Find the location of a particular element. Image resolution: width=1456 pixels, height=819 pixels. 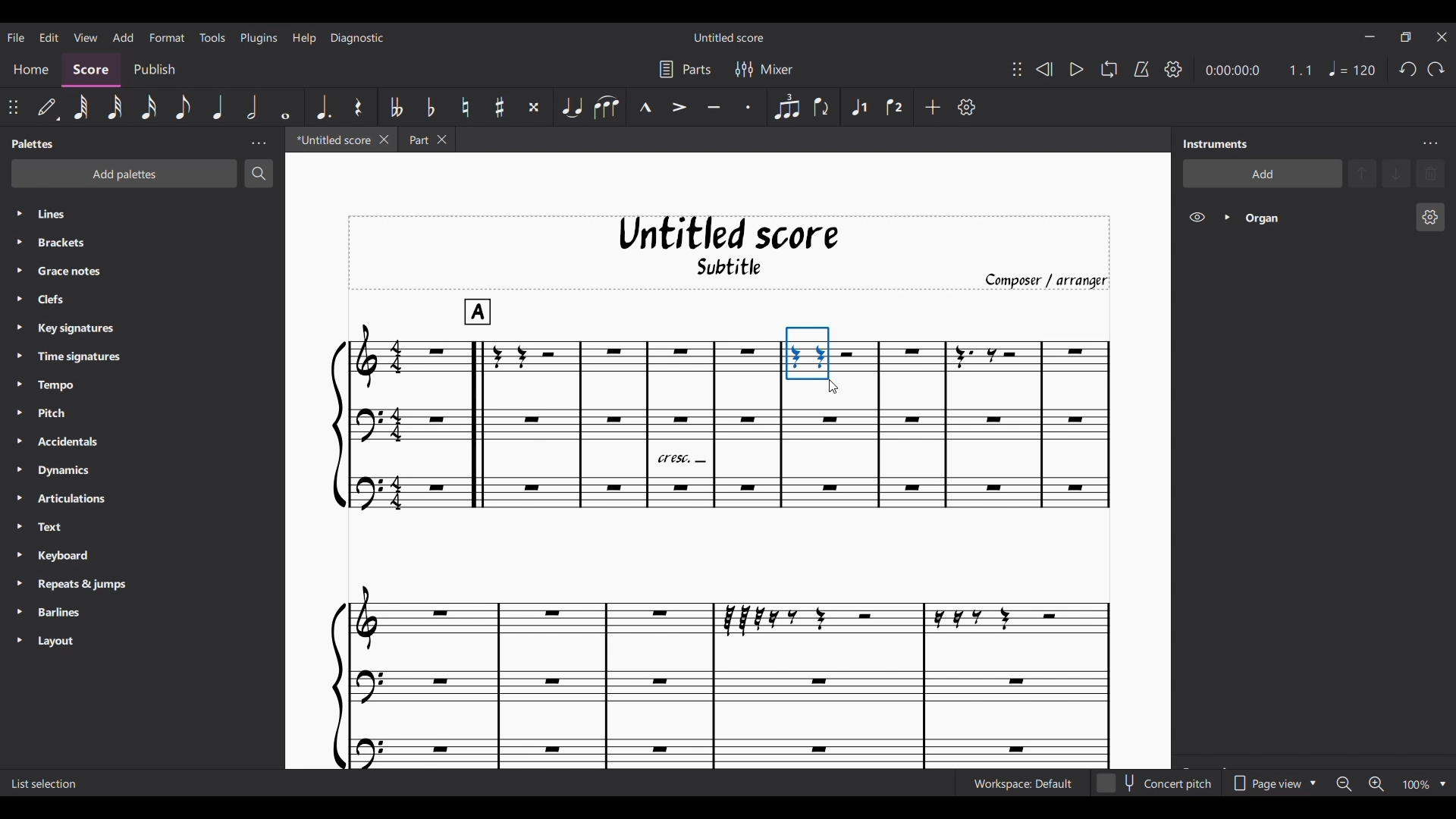

Toggle double sharp is located at coordinates (535, 106).